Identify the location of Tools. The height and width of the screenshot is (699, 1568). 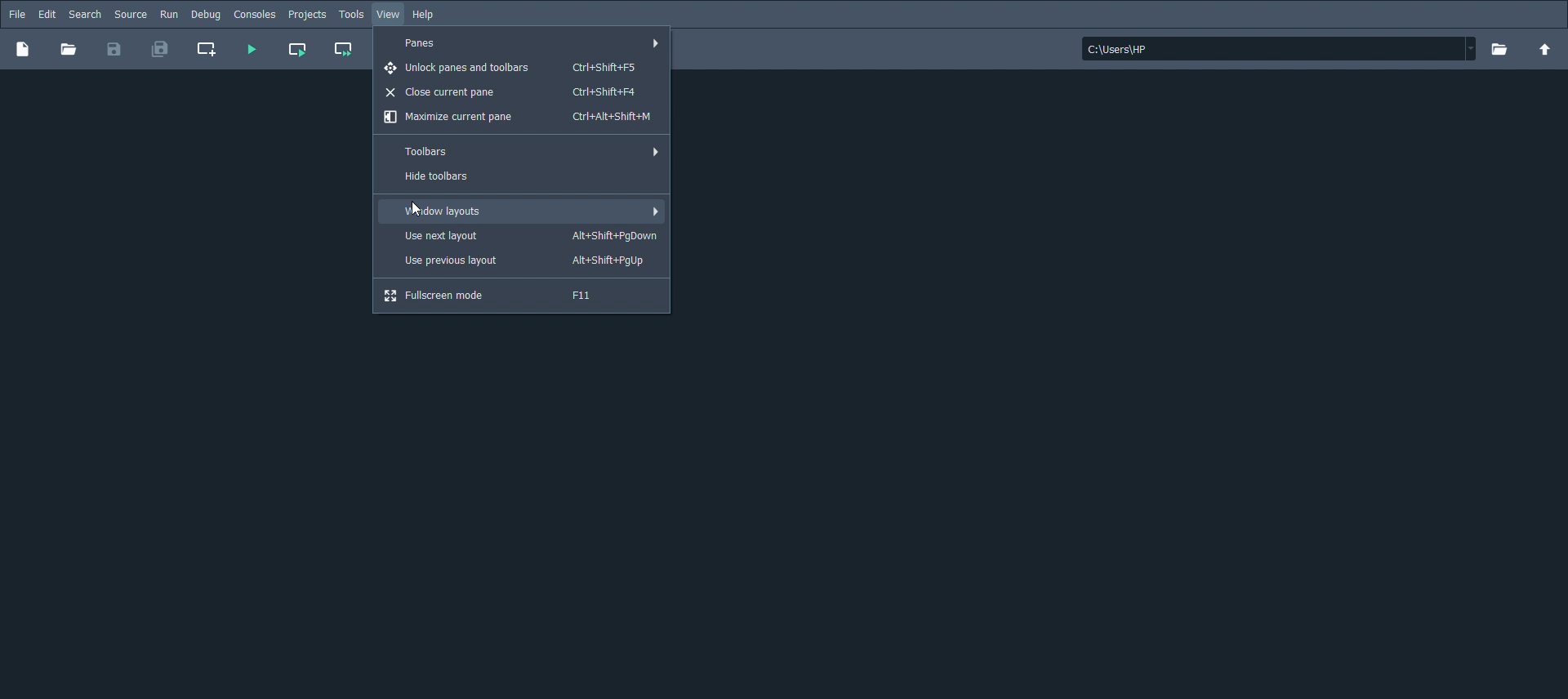
(351, 15).